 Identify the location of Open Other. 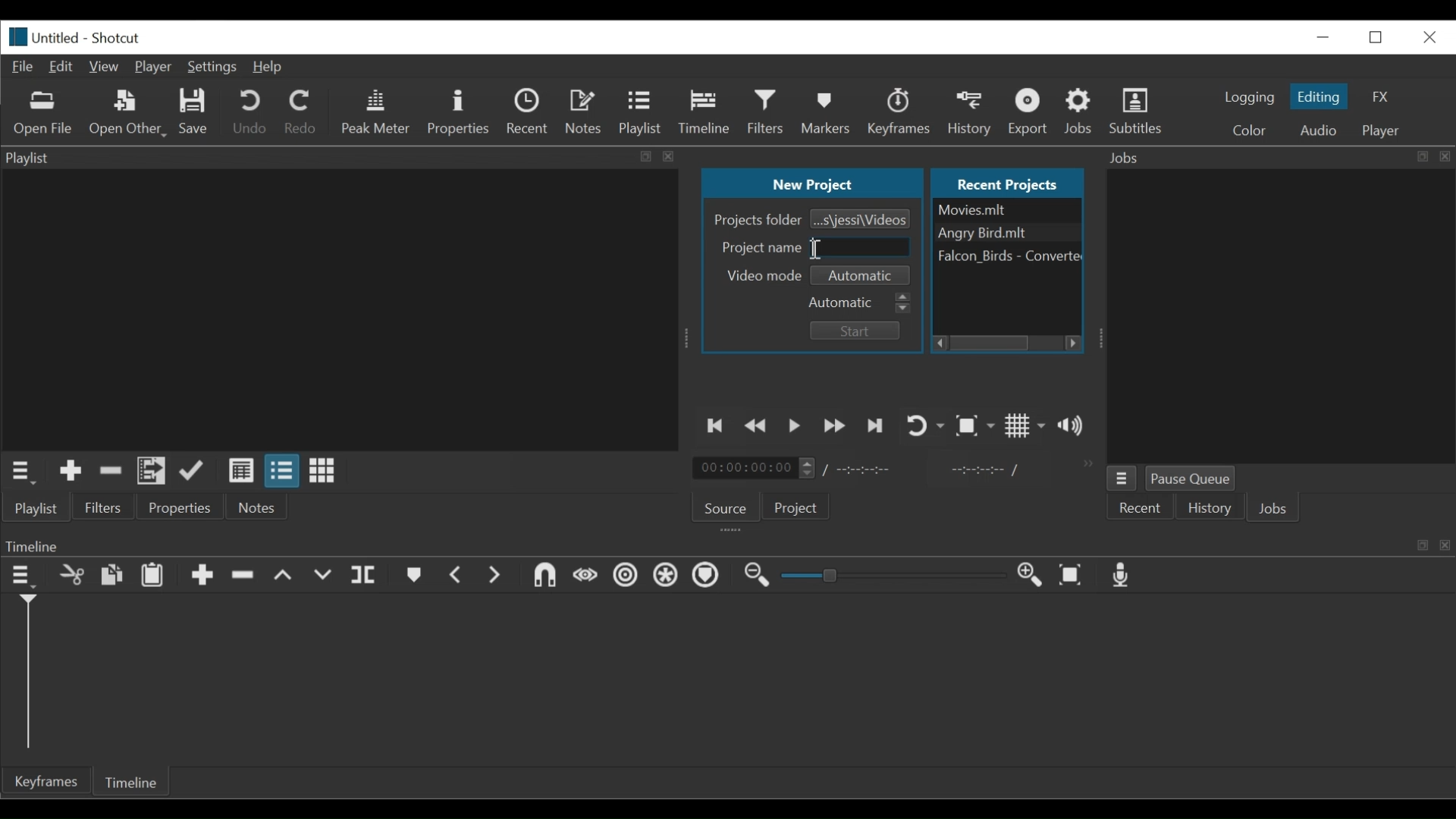
(125, 113).